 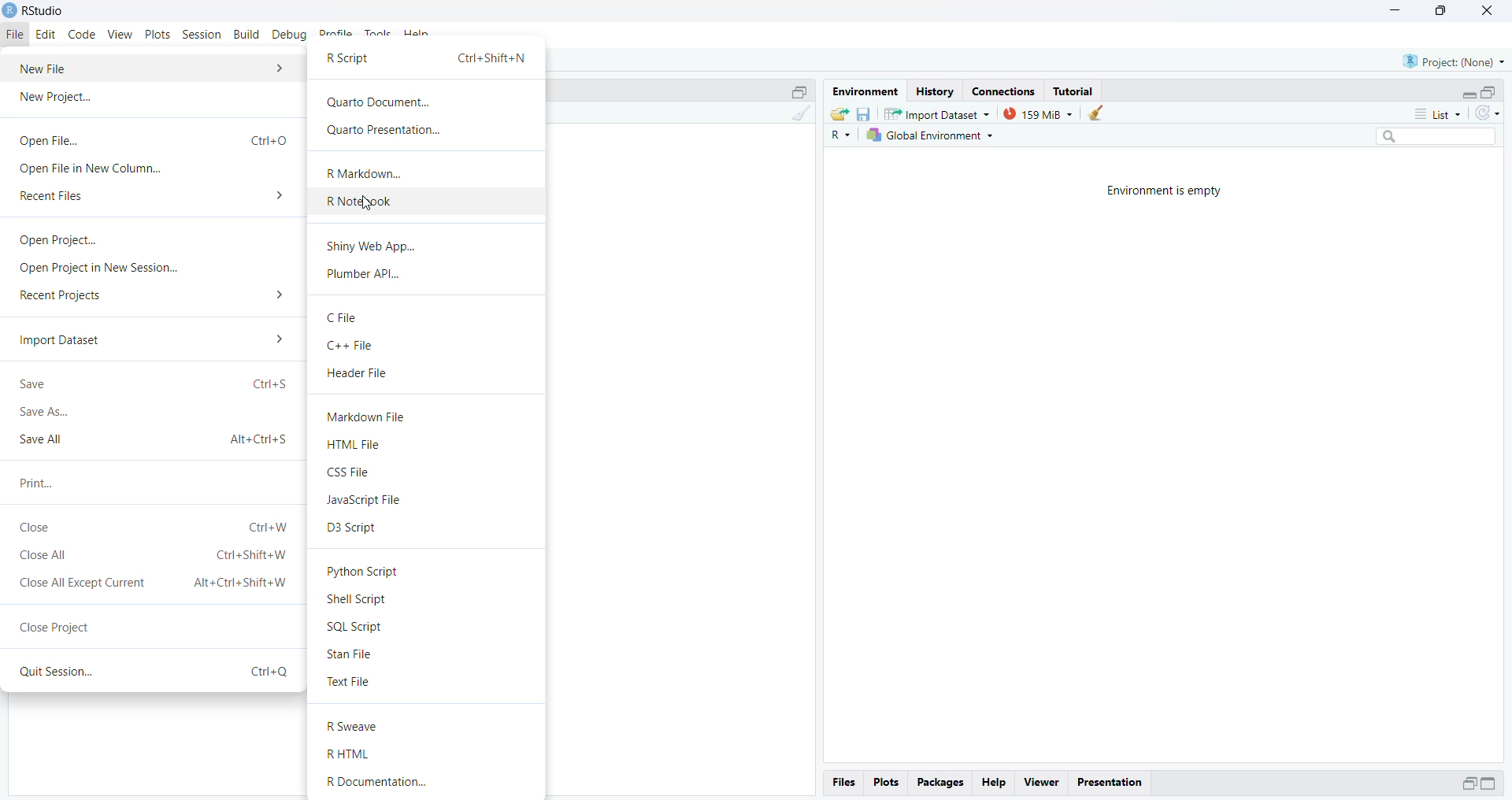 What do you see at coordinates (366, 570) in the screenshot?
I see `Python Script` at bounding box center [366, 570].